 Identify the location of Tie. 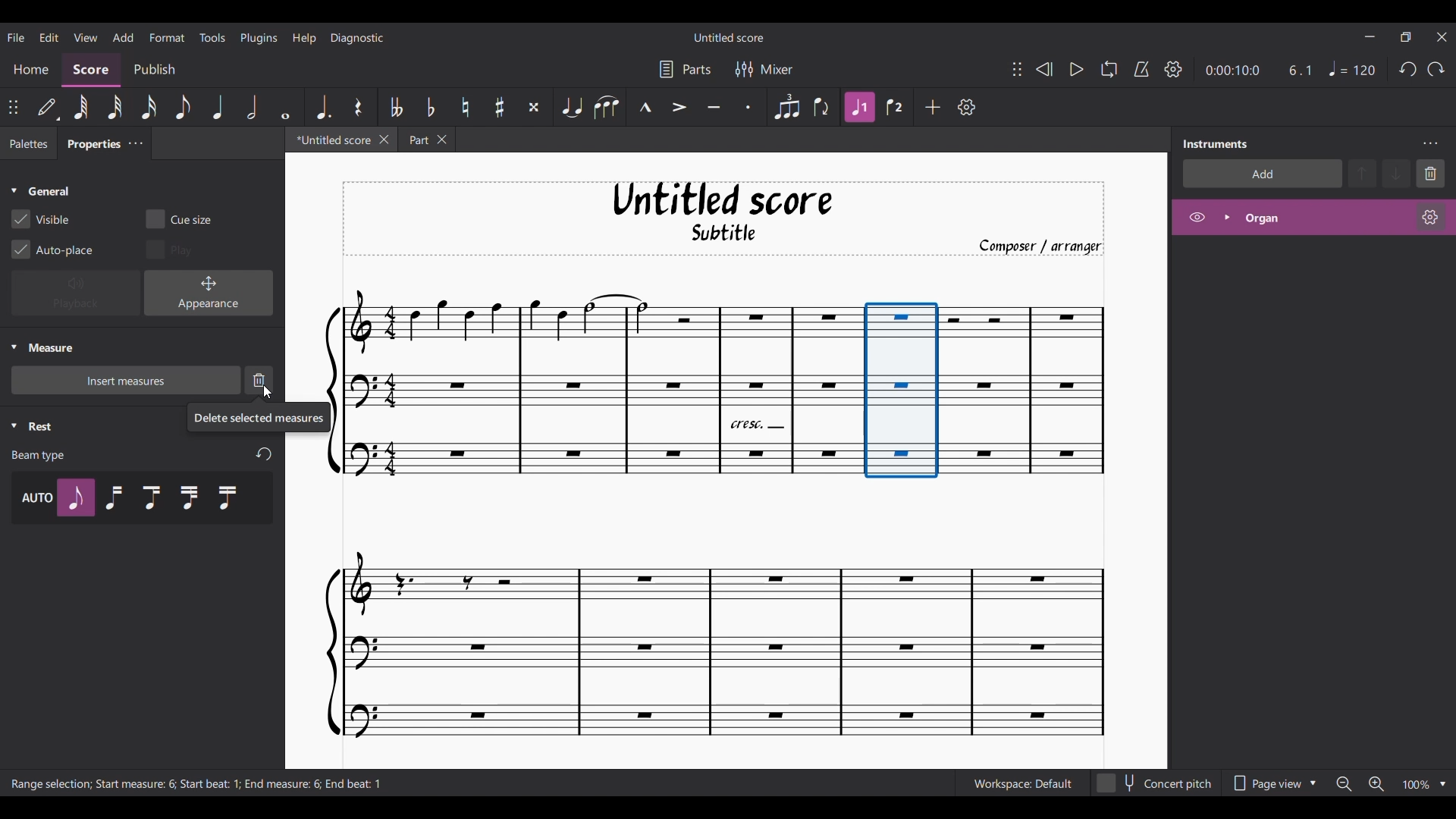
(571, 107).